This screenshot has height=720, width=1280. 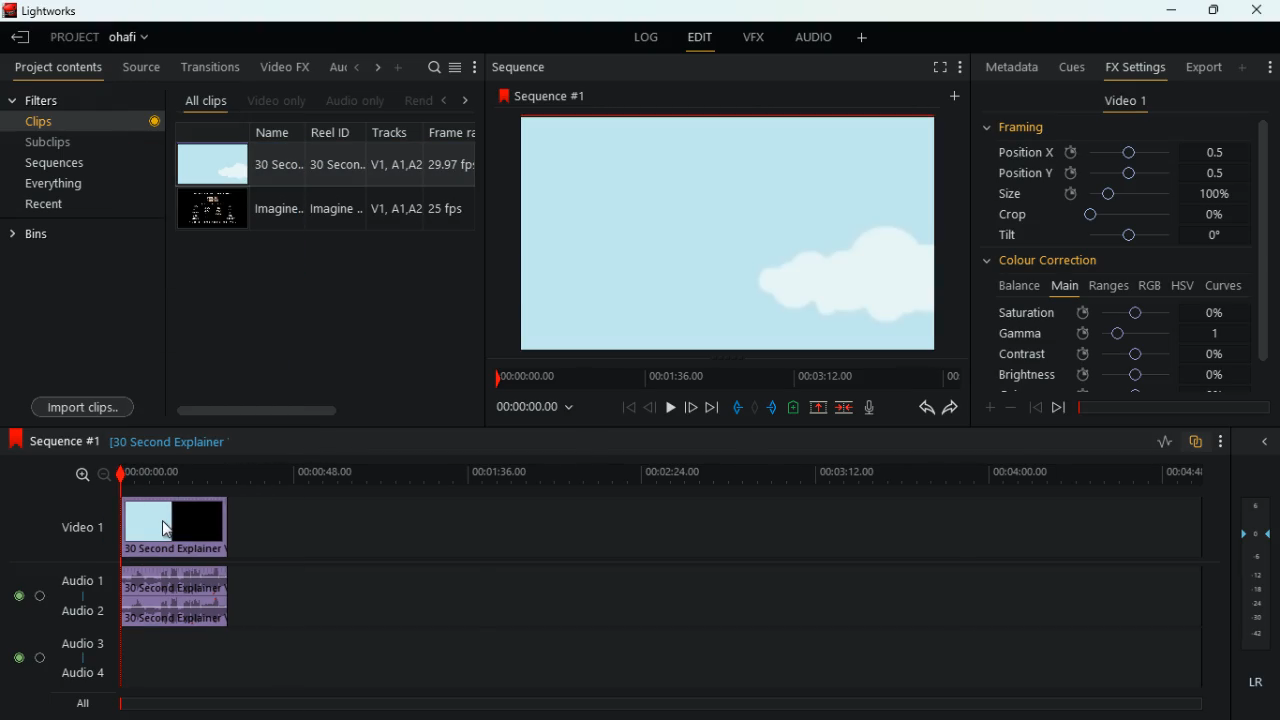 What do you see at coordinates (85, 121) in the screenshot?
I see `clips` at bounding box center [85, 121].